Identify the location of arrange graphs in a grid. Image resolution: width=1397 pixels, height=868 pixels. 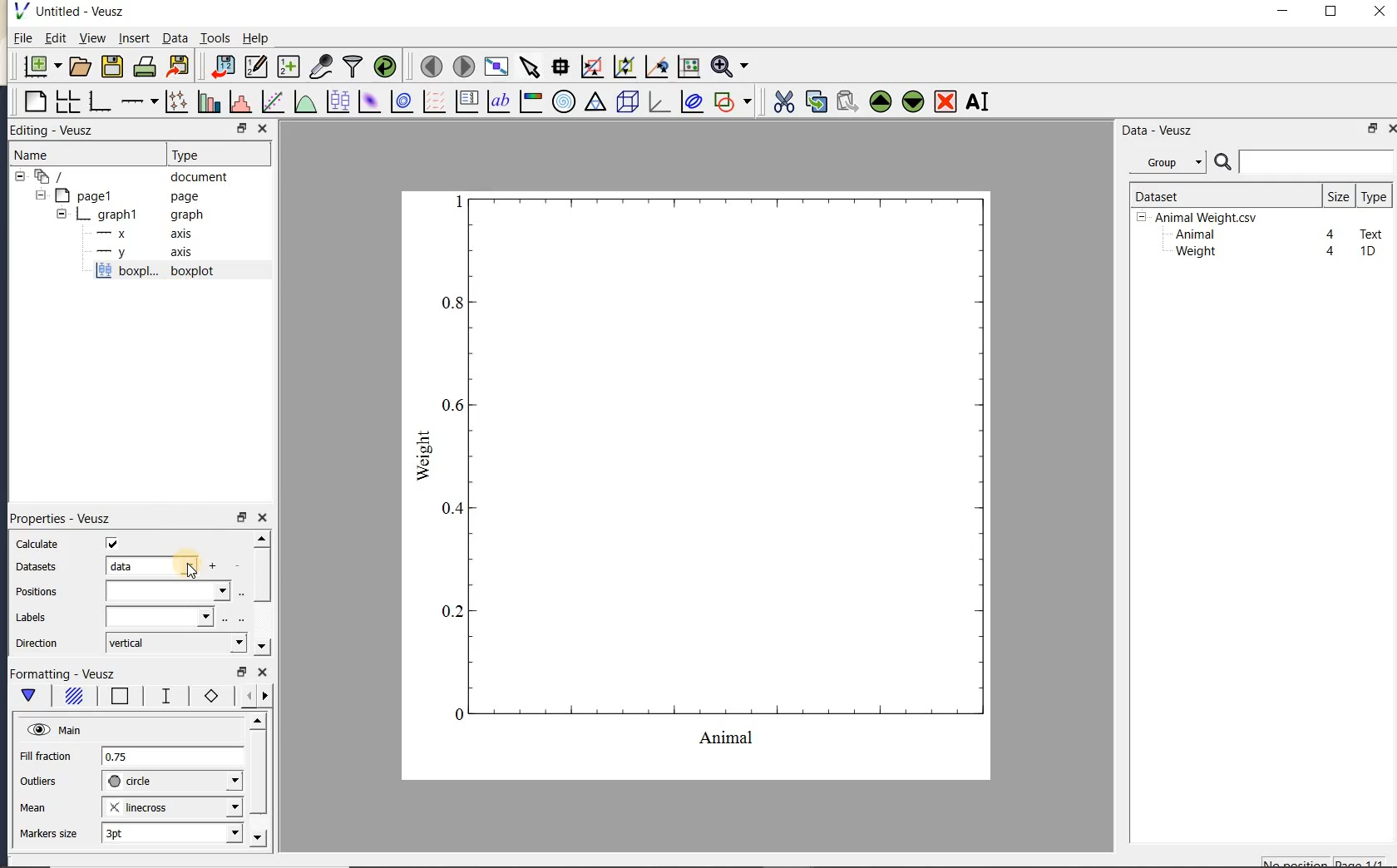
(67, 101).